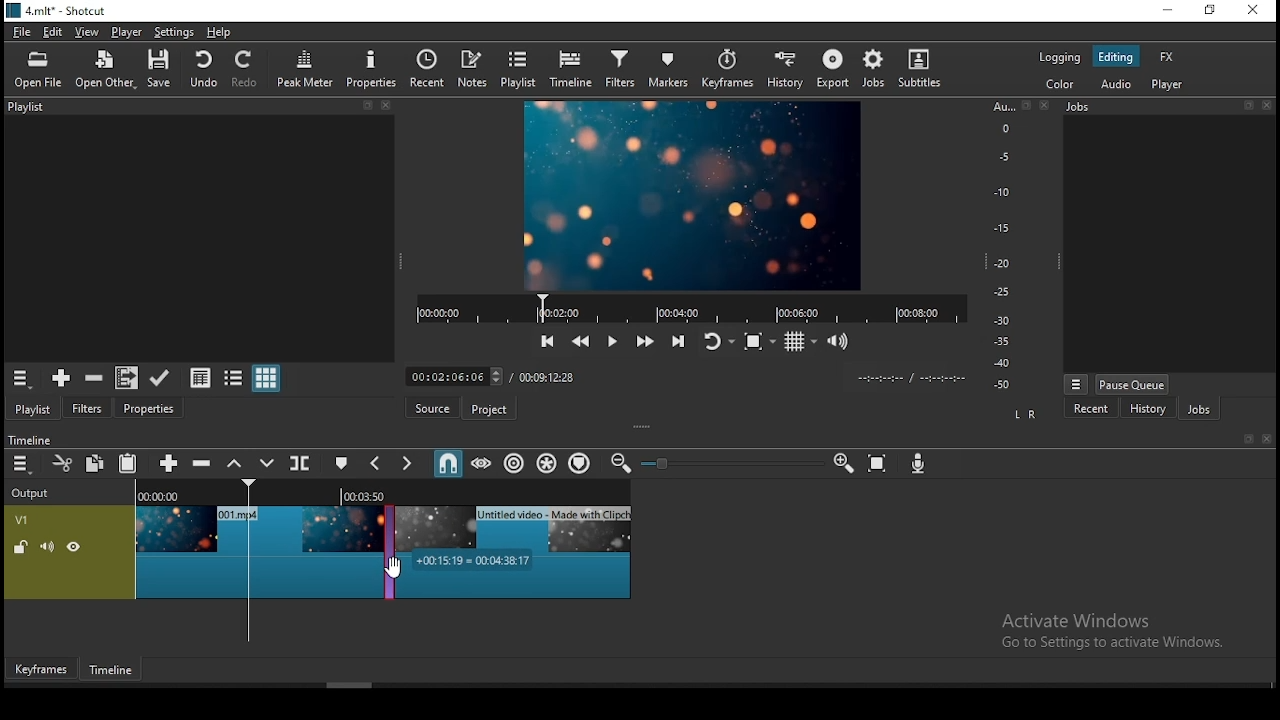 This screenshot has height=720, width=1280. Describe the element at coordinates (199, 463) in the screenshot. I see `ripple delete` at that location.